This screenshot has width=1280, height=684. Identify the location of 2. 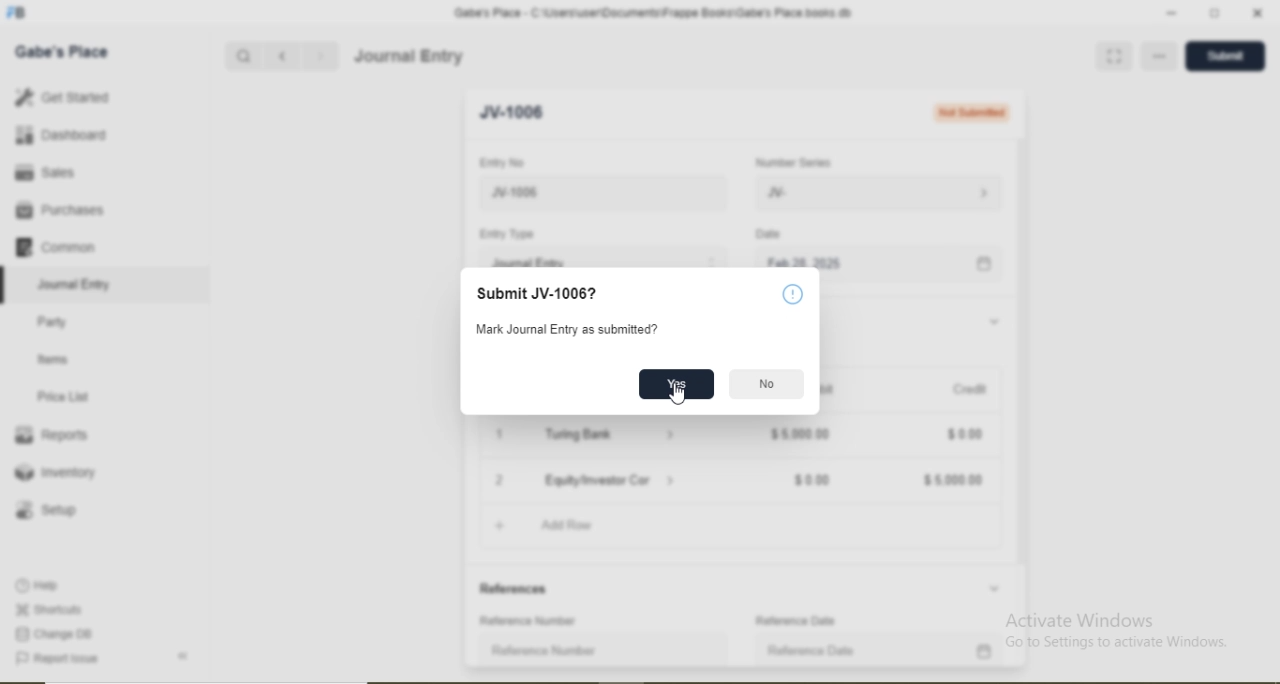
(500, 481).